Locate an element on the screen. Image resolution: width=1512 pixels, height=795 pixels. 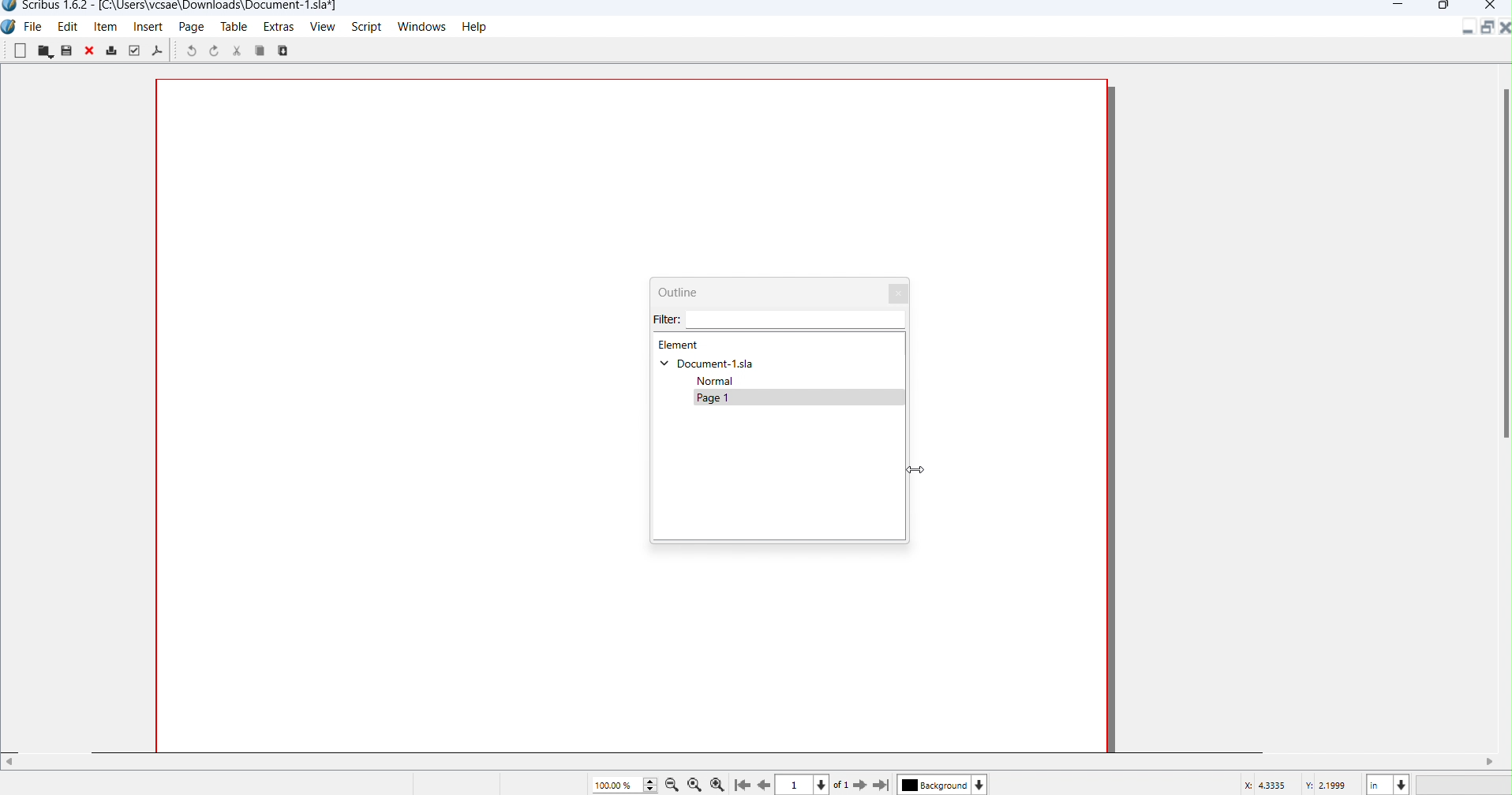
Scribus is located at coordinates (169, 8).